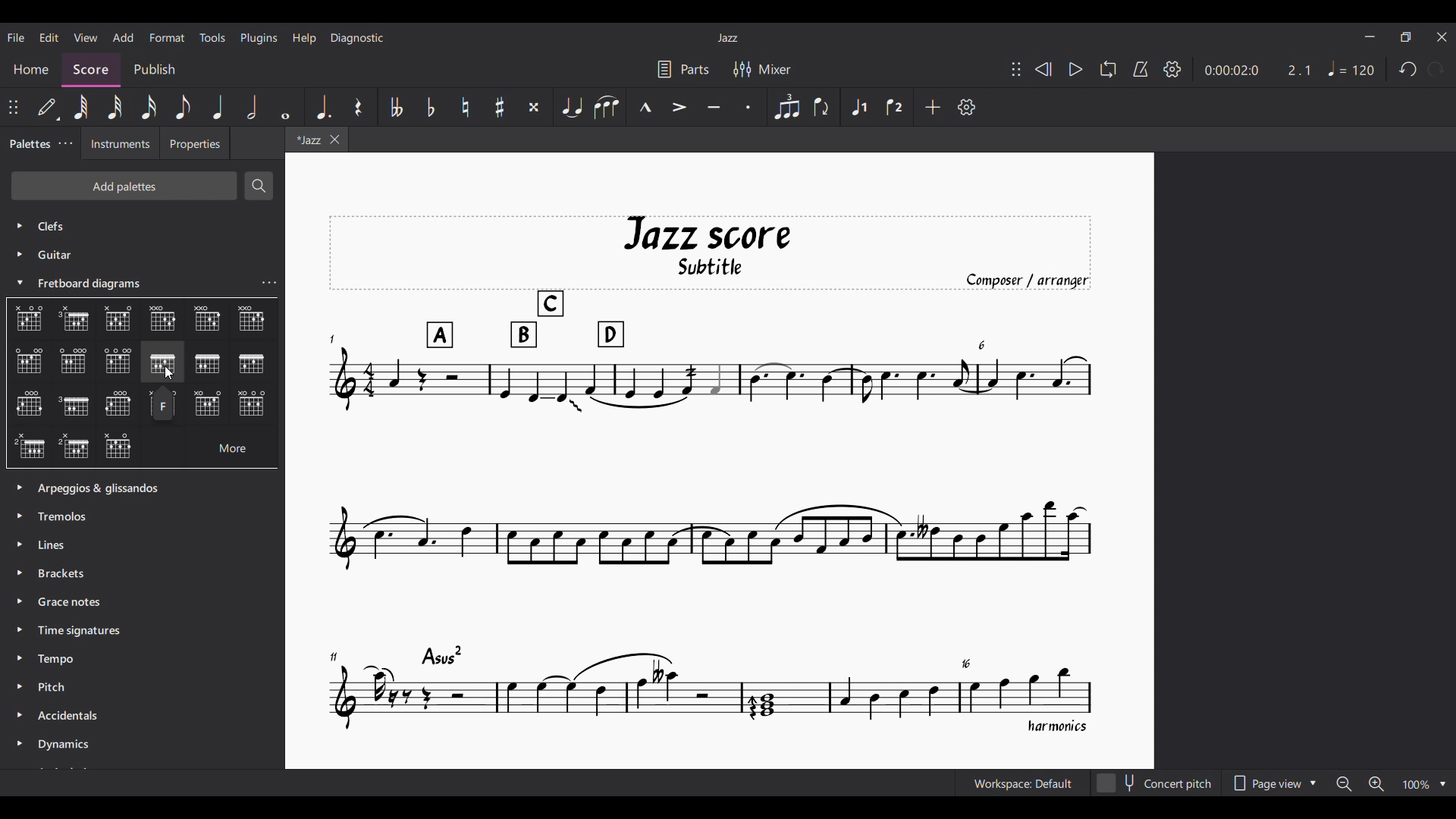 The width and height of the screenshot is (1456, 819). Describe the element at coordinates (76, 362) in the screenshot. I see `Chart 7` at that location.